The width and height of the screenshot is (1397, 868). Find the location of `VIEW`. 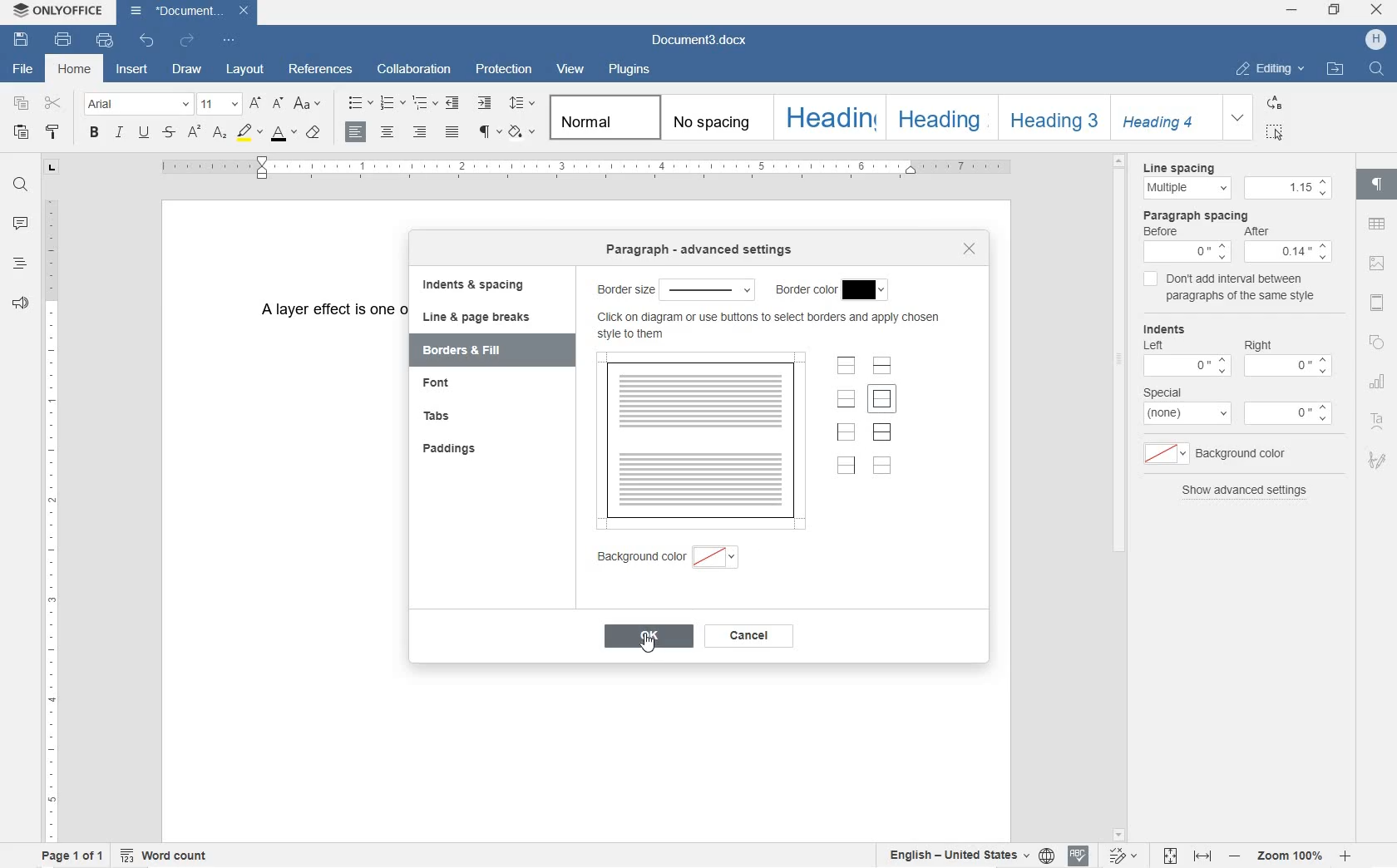

VIEW is located at coordinates (572, 68).